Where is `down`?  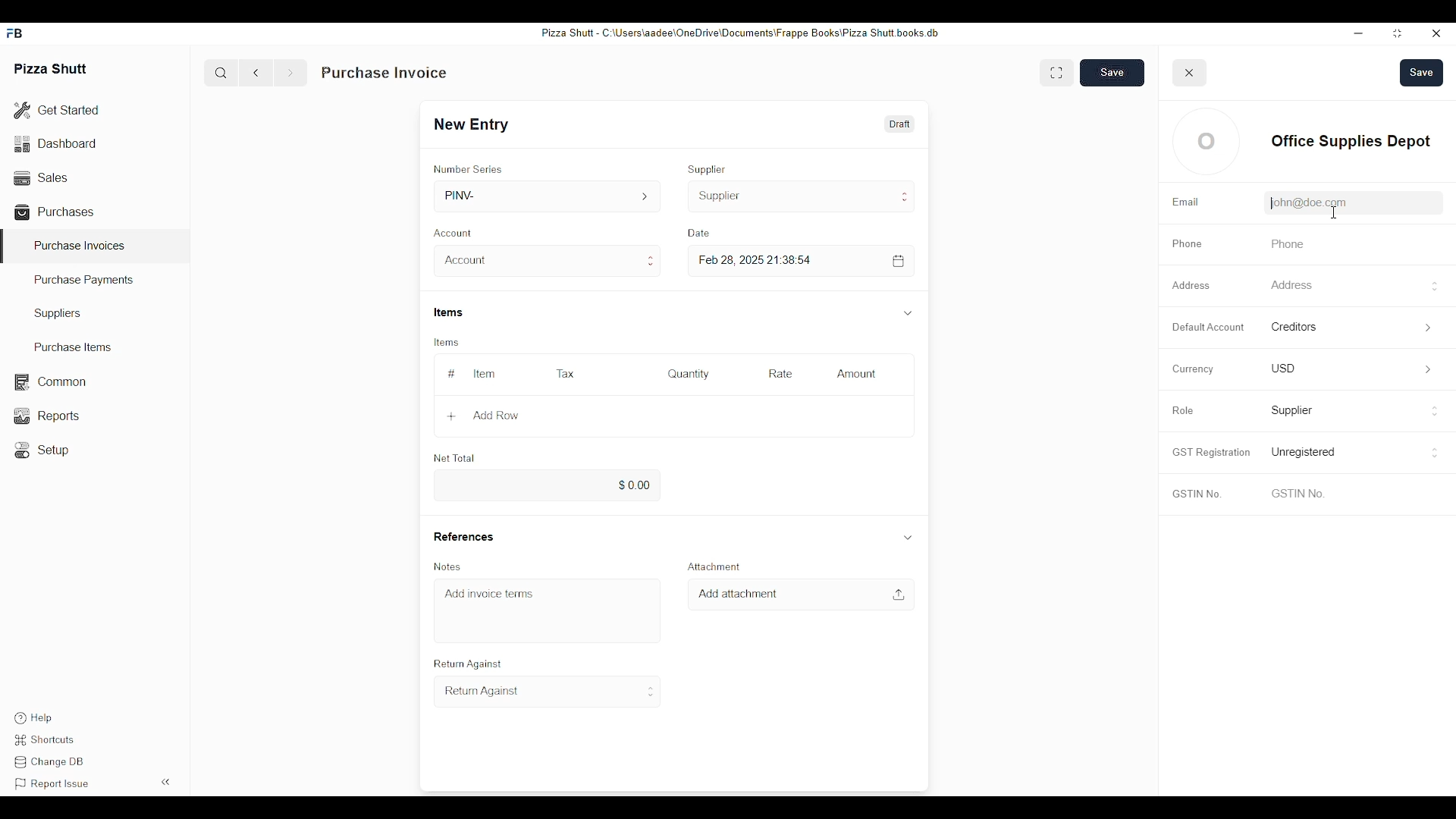 down is located at coordinates (908, 536).